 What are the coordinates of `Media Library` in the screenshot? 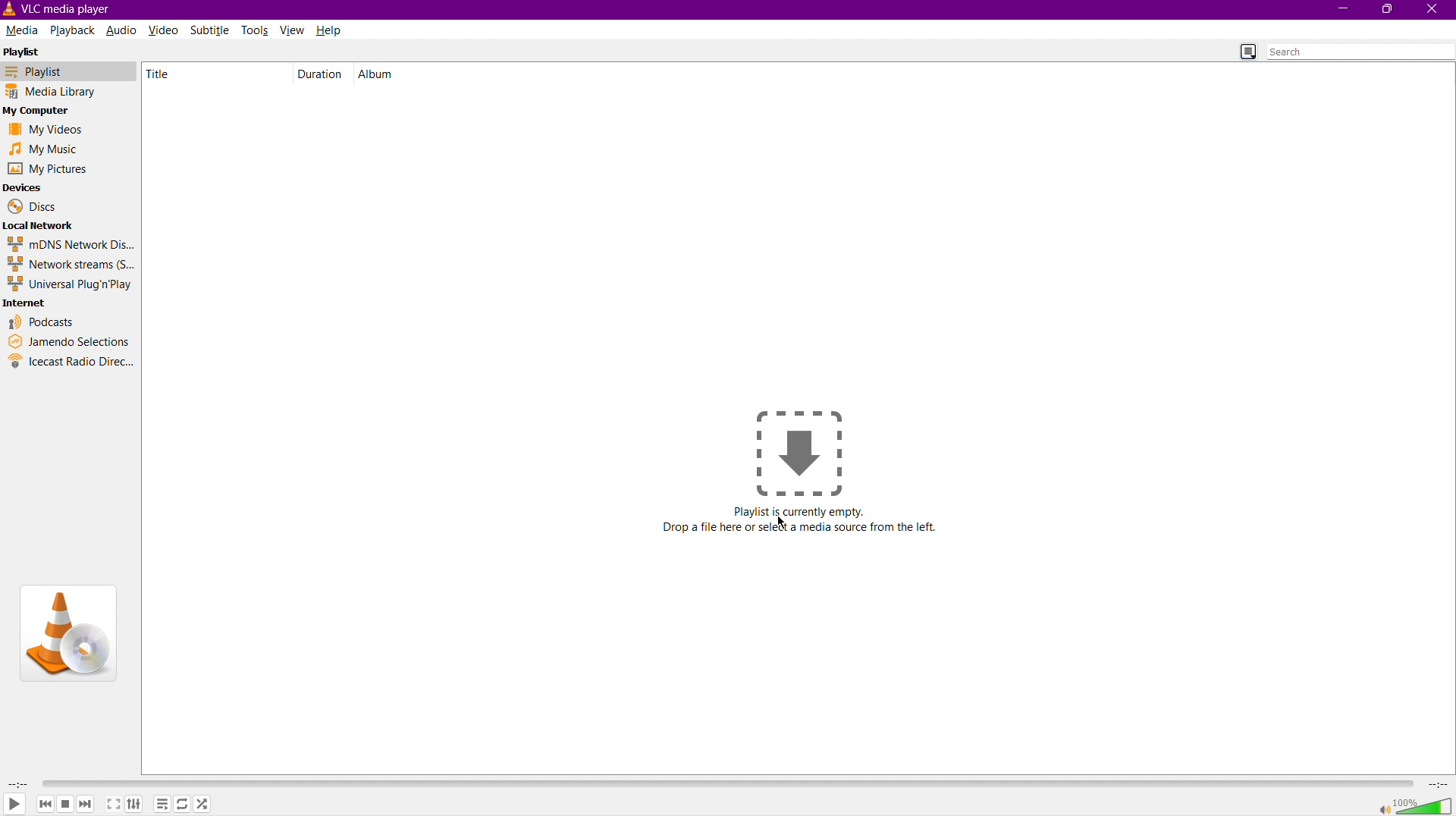 It's located at (69, 92).